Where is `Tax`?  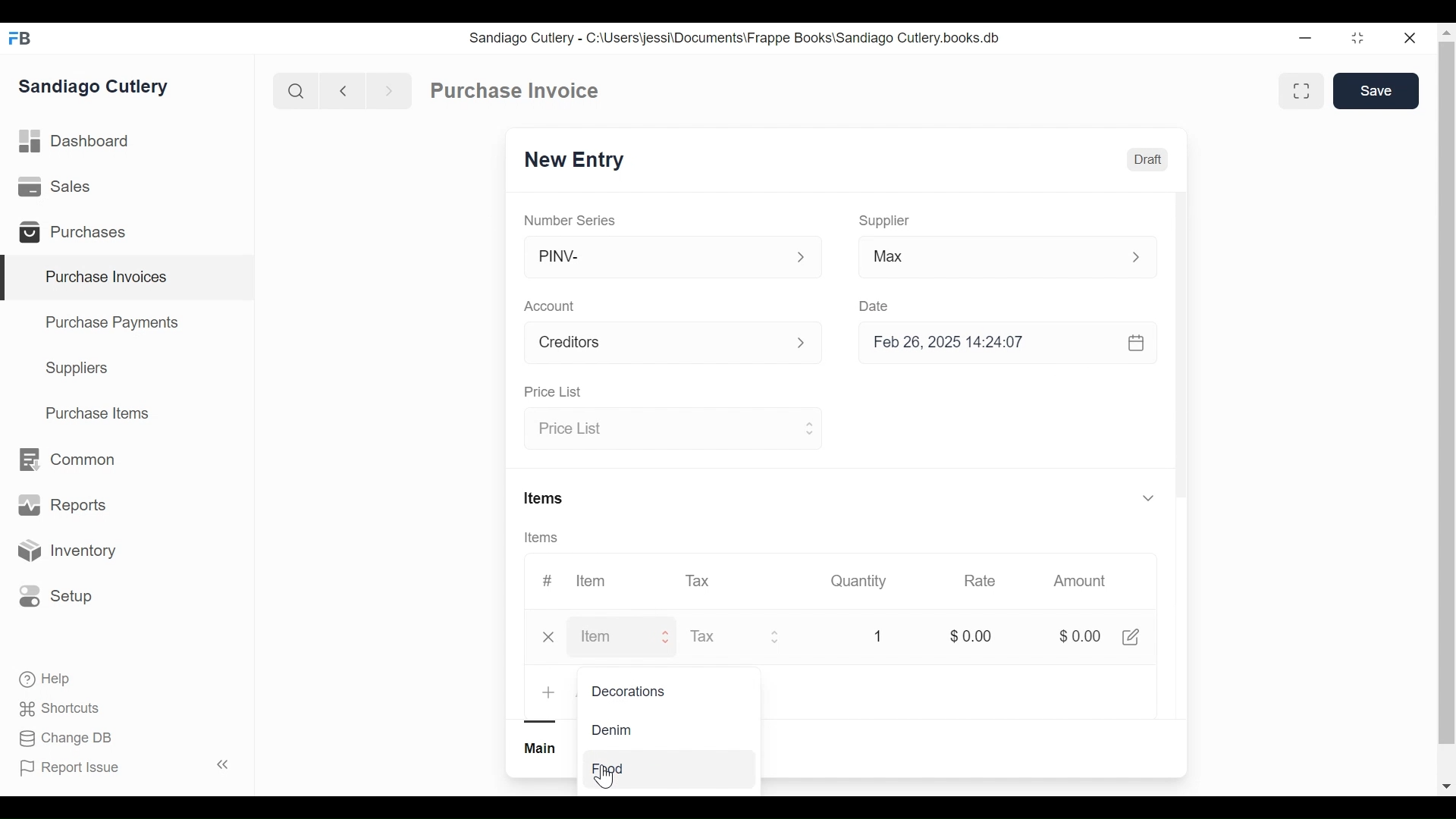 Tax is located at coordinates (699, 579).